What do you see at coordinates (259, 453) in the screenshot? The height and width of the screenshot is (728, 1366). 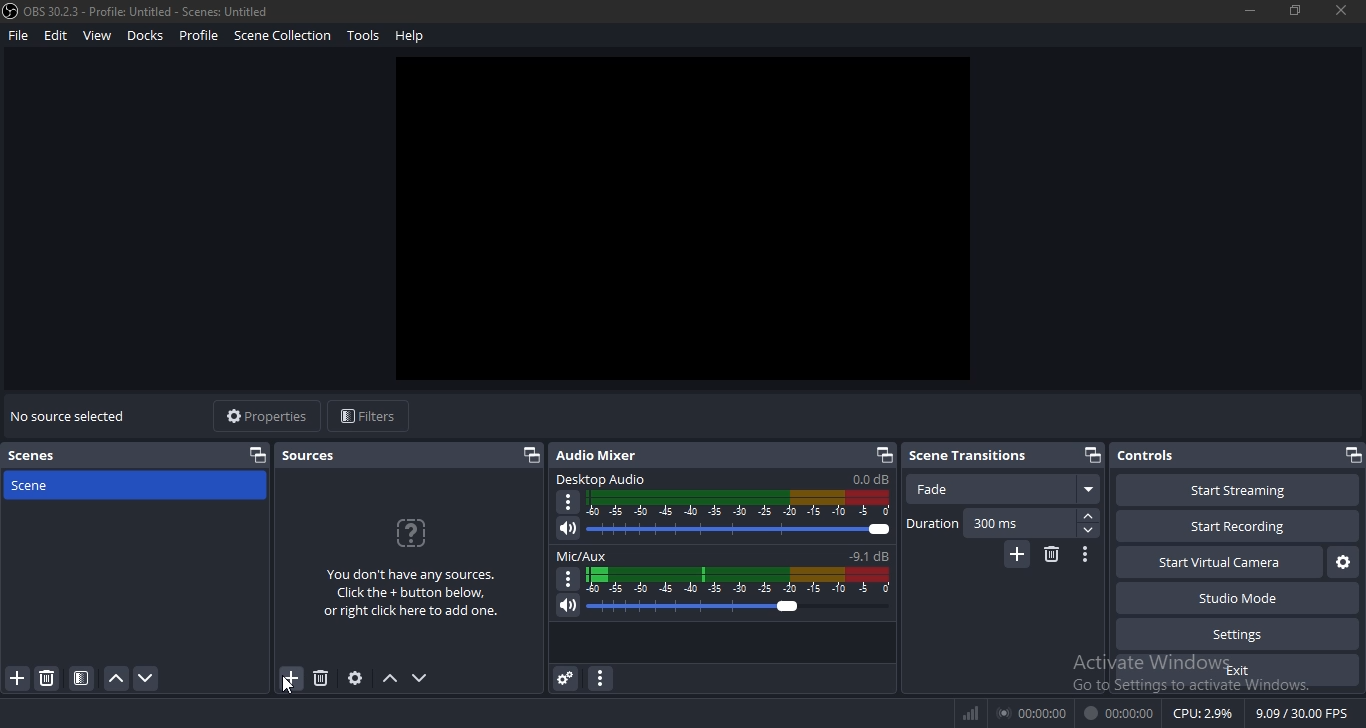 I see `restore` at bounding box center [259, 453].